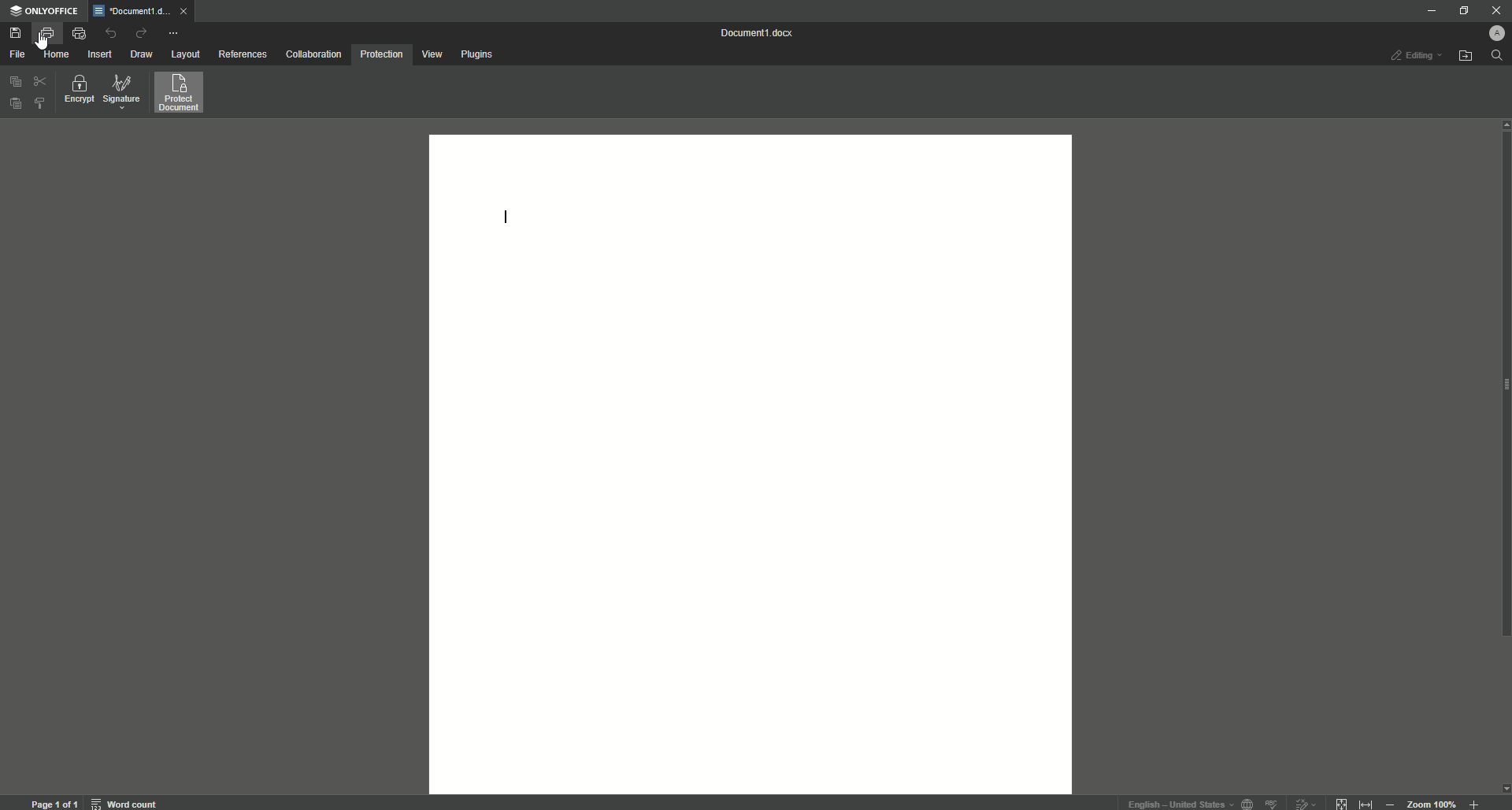 The width and height of the screenshot is (1512, 810). Describe the element at coordinates (1432, 803) in the screenshot. I see `zoom` at that location.